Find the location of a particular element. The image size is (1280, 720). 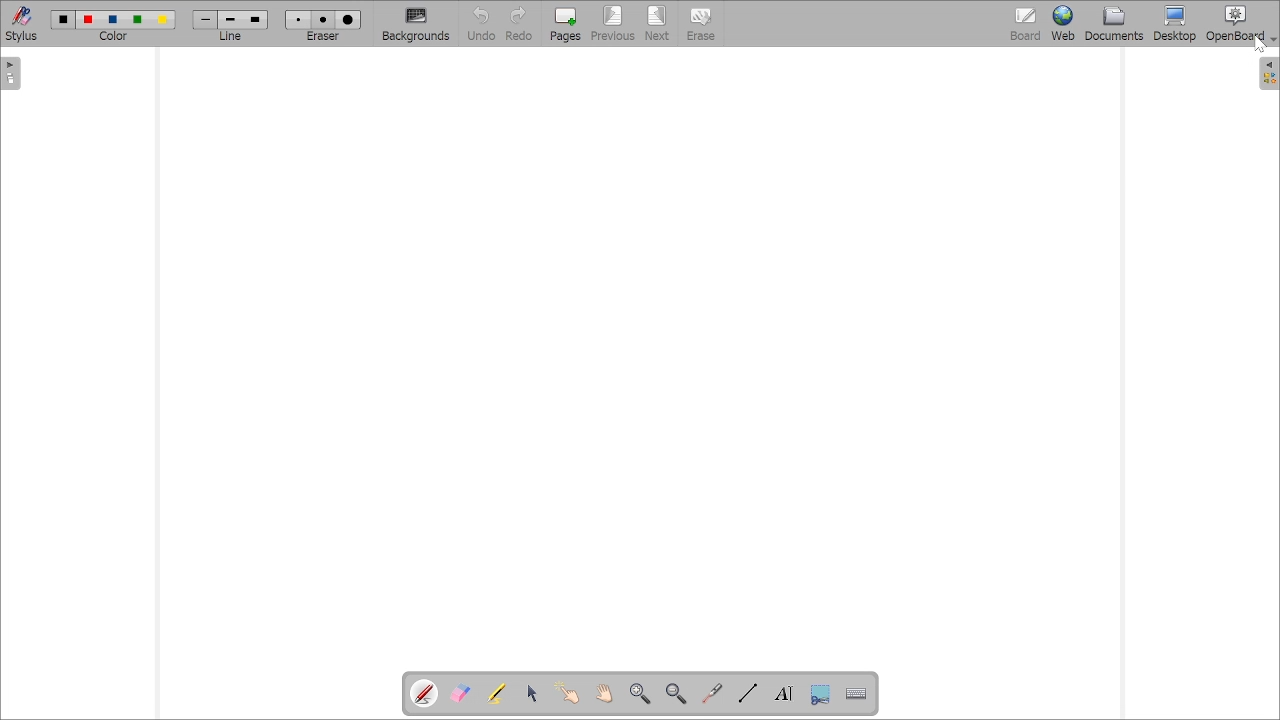

Stylus is located at coordinates (22, 24).